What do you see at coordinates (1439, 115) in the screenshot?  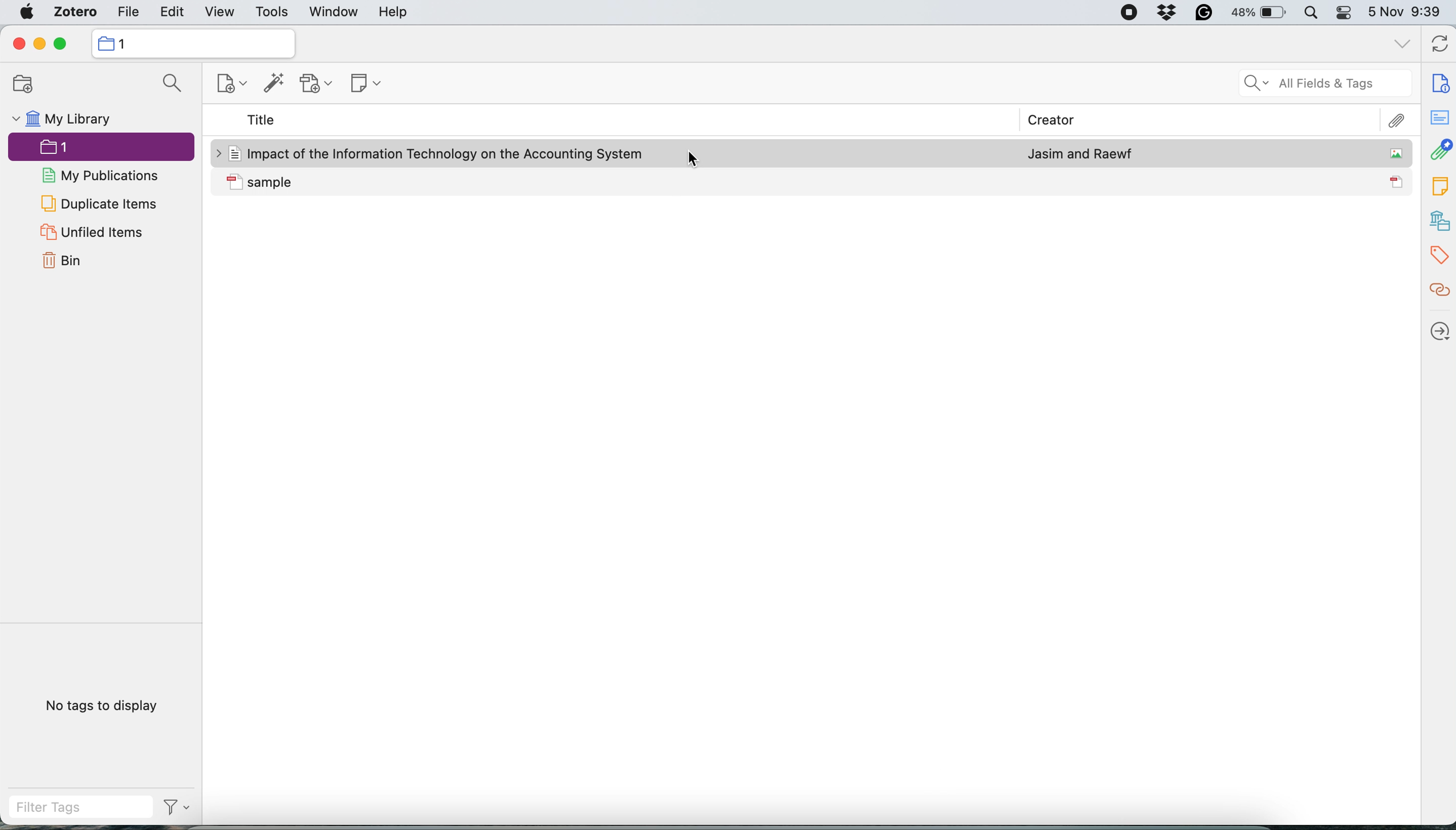 I see `abstract` at bounding box center [1439, 115].